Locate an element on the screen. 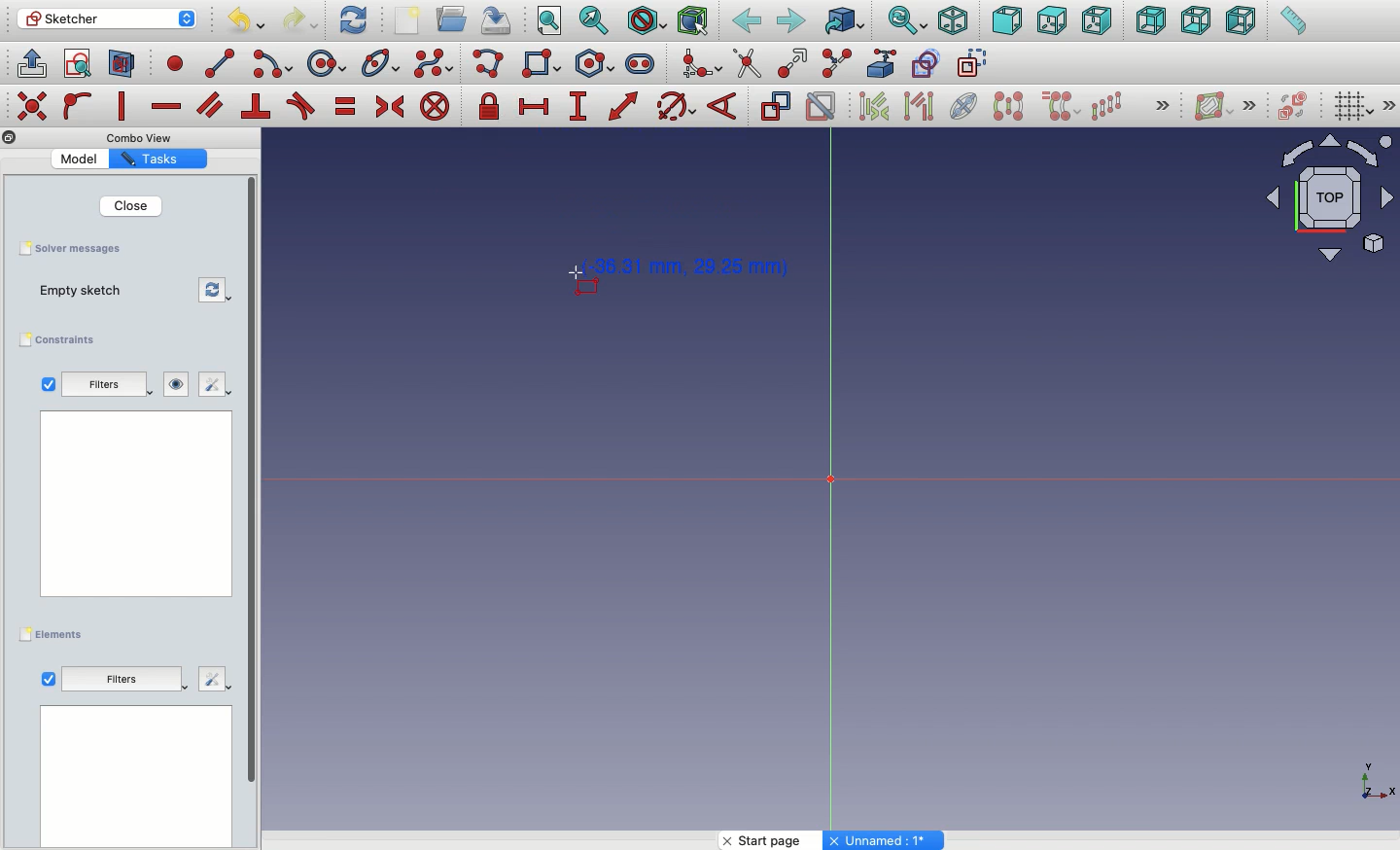 This screenshot has width=1400, height=850. Select associated constrains is located at coordinates (870, 106).